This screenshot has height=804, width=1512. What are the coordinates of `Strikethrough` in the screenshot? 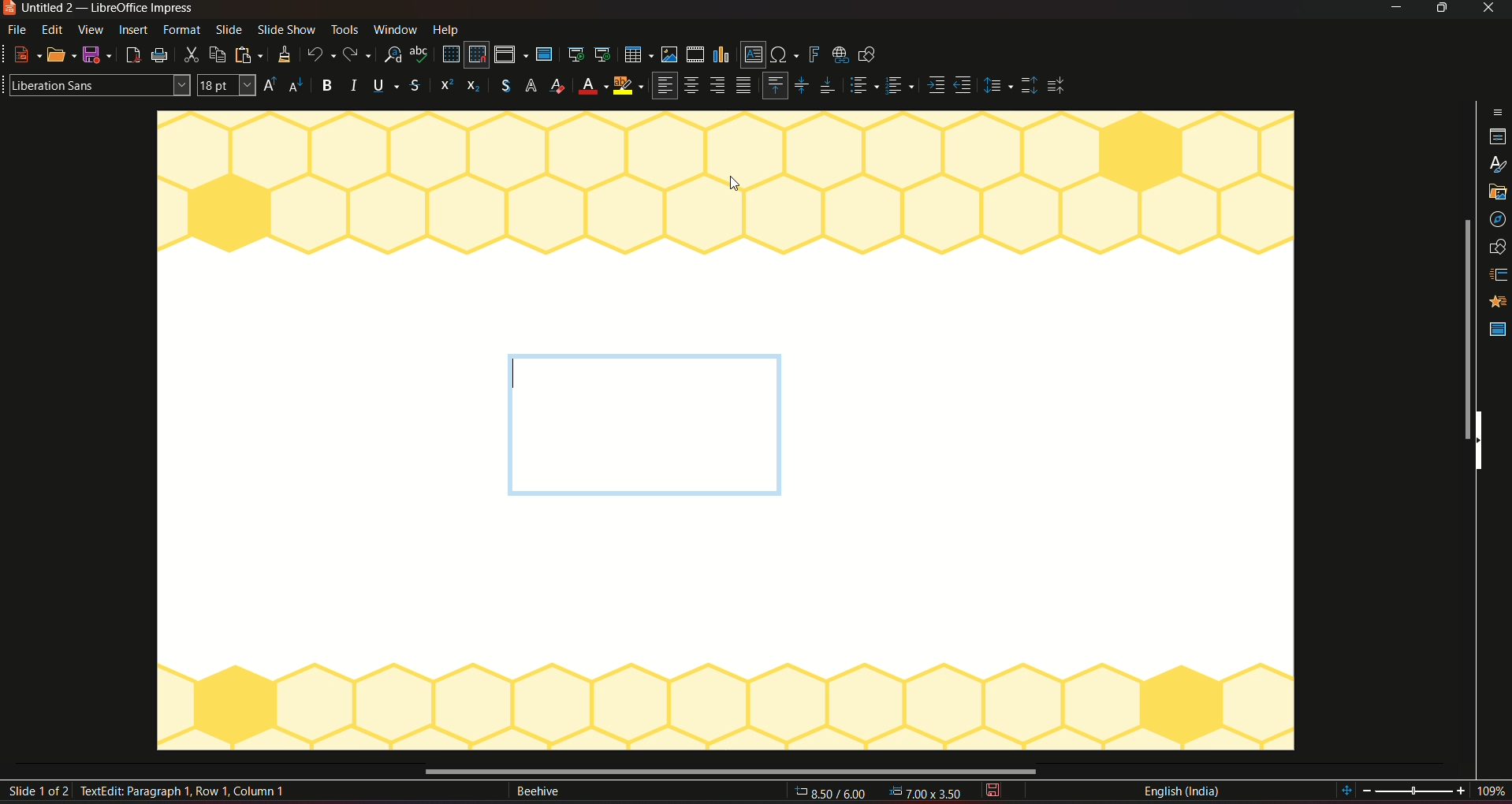 It's located at (415, 86).